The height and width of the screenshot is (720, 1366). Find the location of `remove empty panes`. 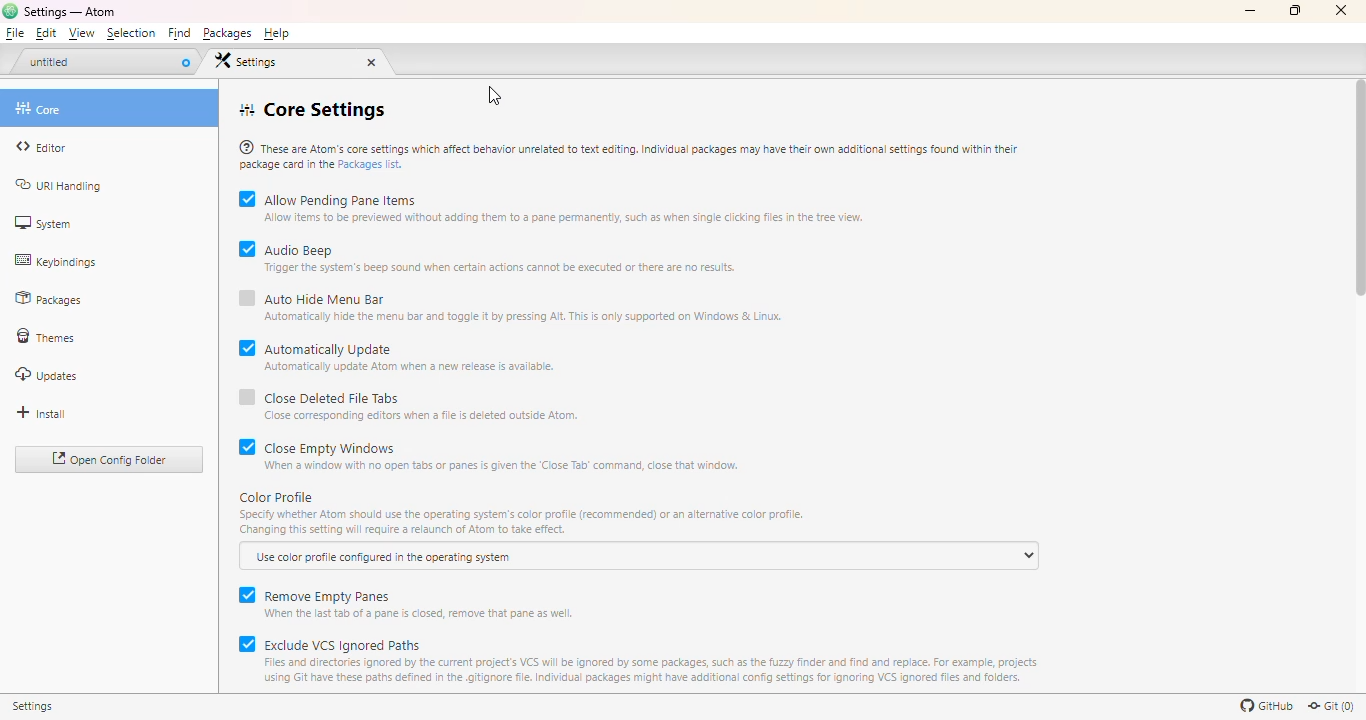

remove empty panes is located at coordinates (421, 602).